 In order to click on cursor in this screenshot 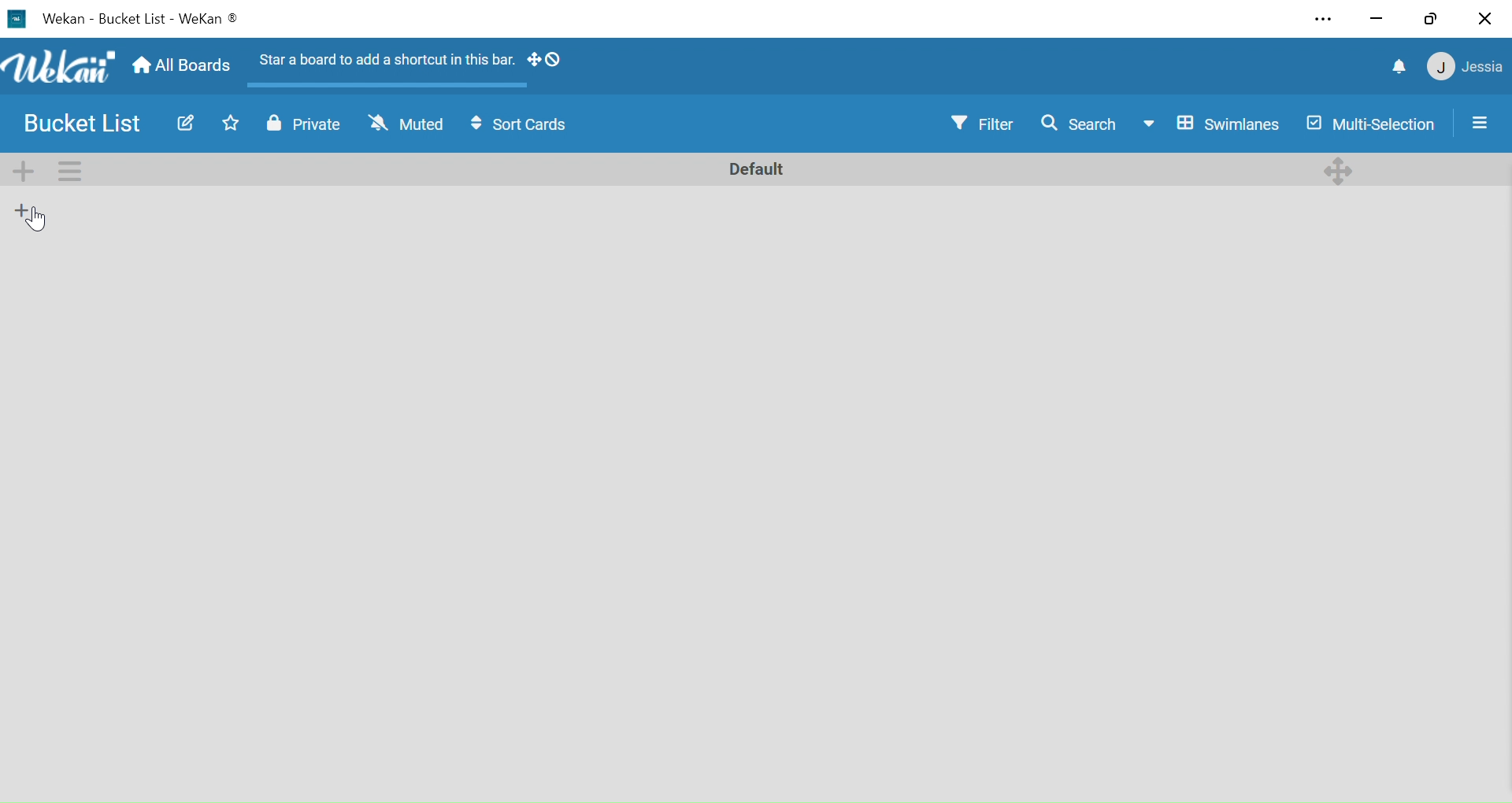, I will do `click(39, 220)`.